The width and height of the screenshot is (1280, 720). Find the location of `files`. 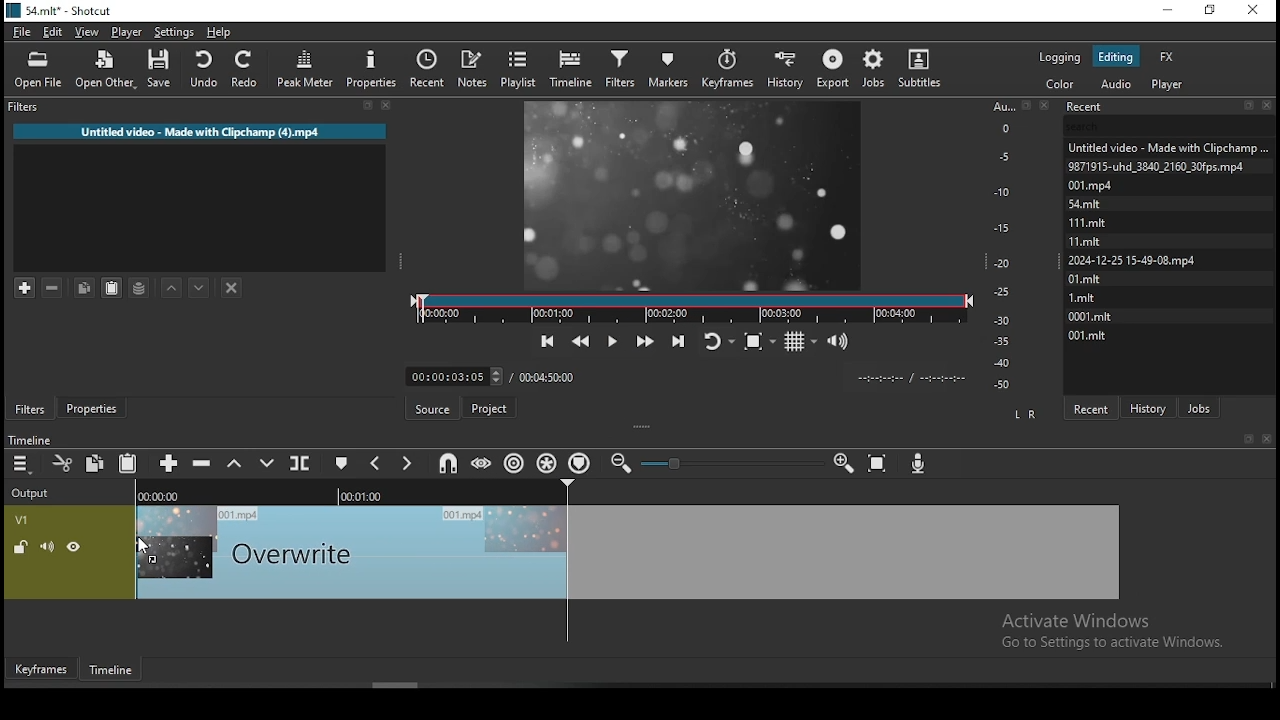

files is located at coordinates (1085, 203).